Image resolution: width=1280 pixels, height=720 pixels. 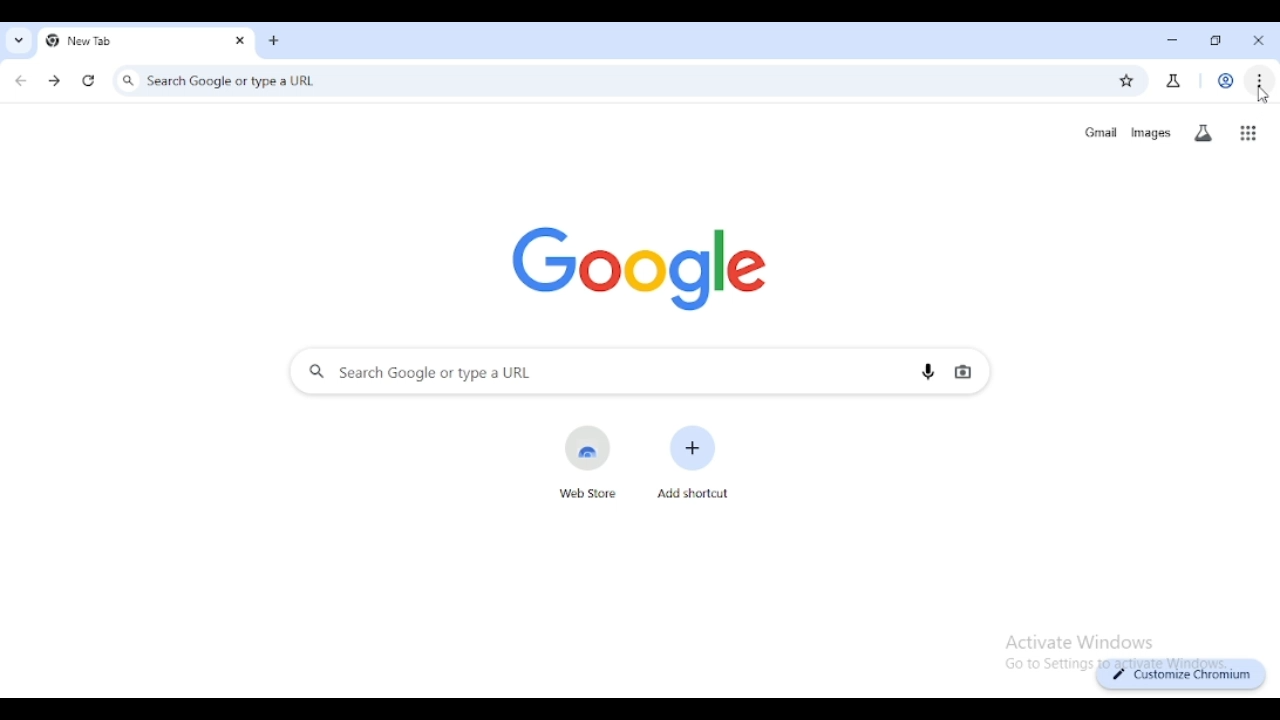 What do you see at coordinates (1259, 40) in the screenshot?
I see `close` at bounding box center [1259, 40].